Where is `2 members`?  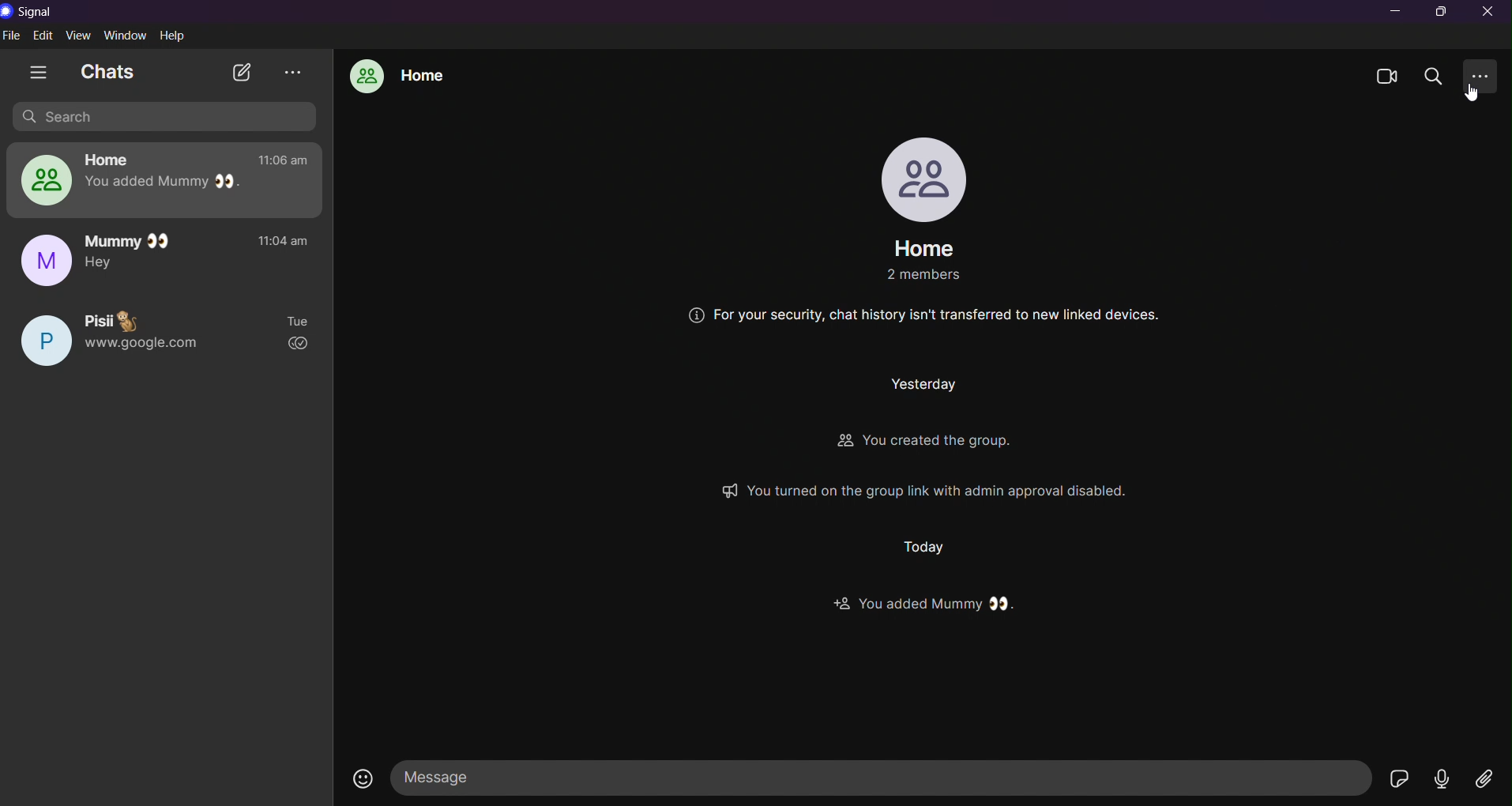 2 members is located at coordinates (914, 276).